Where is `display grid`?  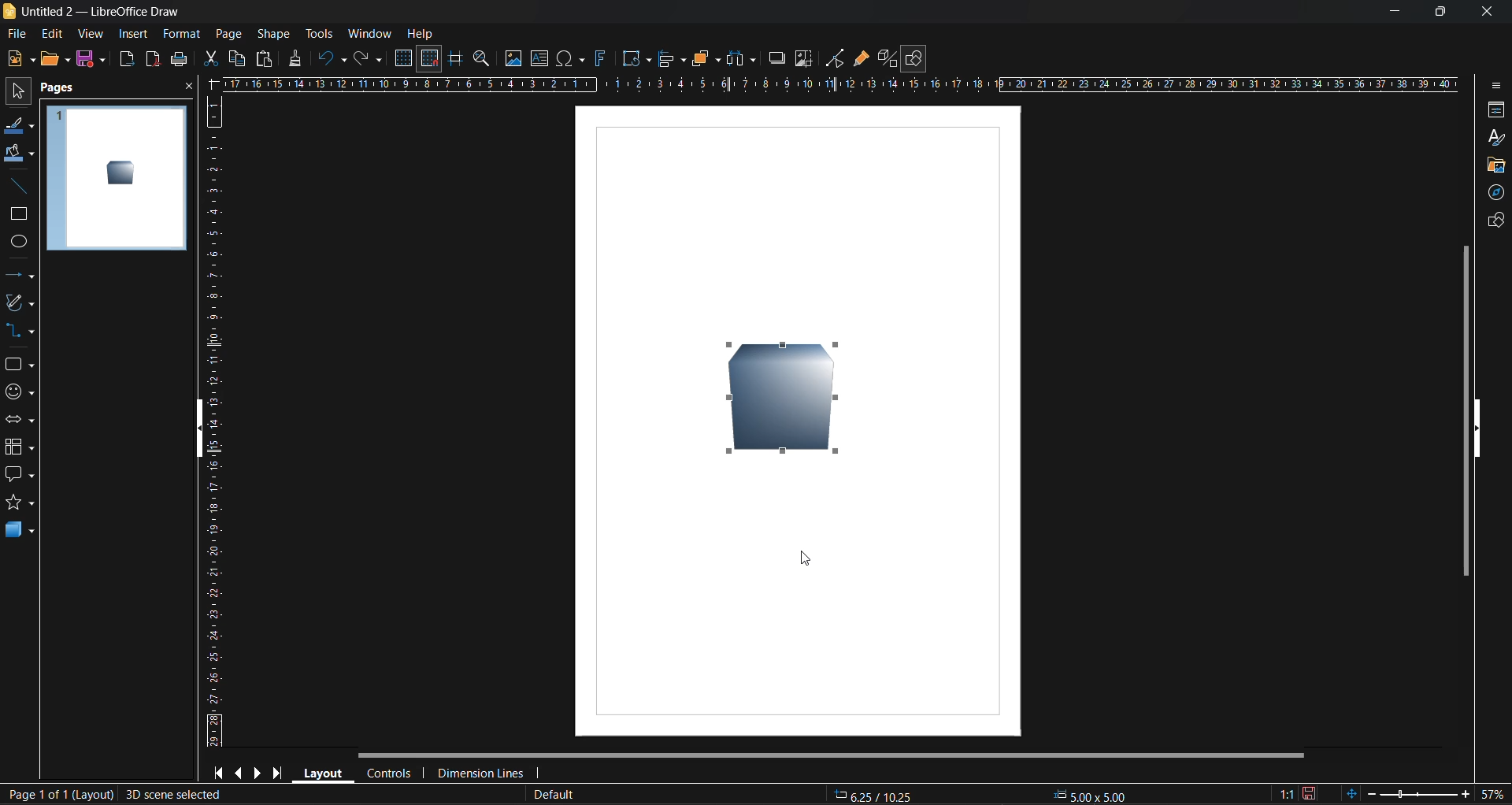
display grid is located at coordinates (406, 58).